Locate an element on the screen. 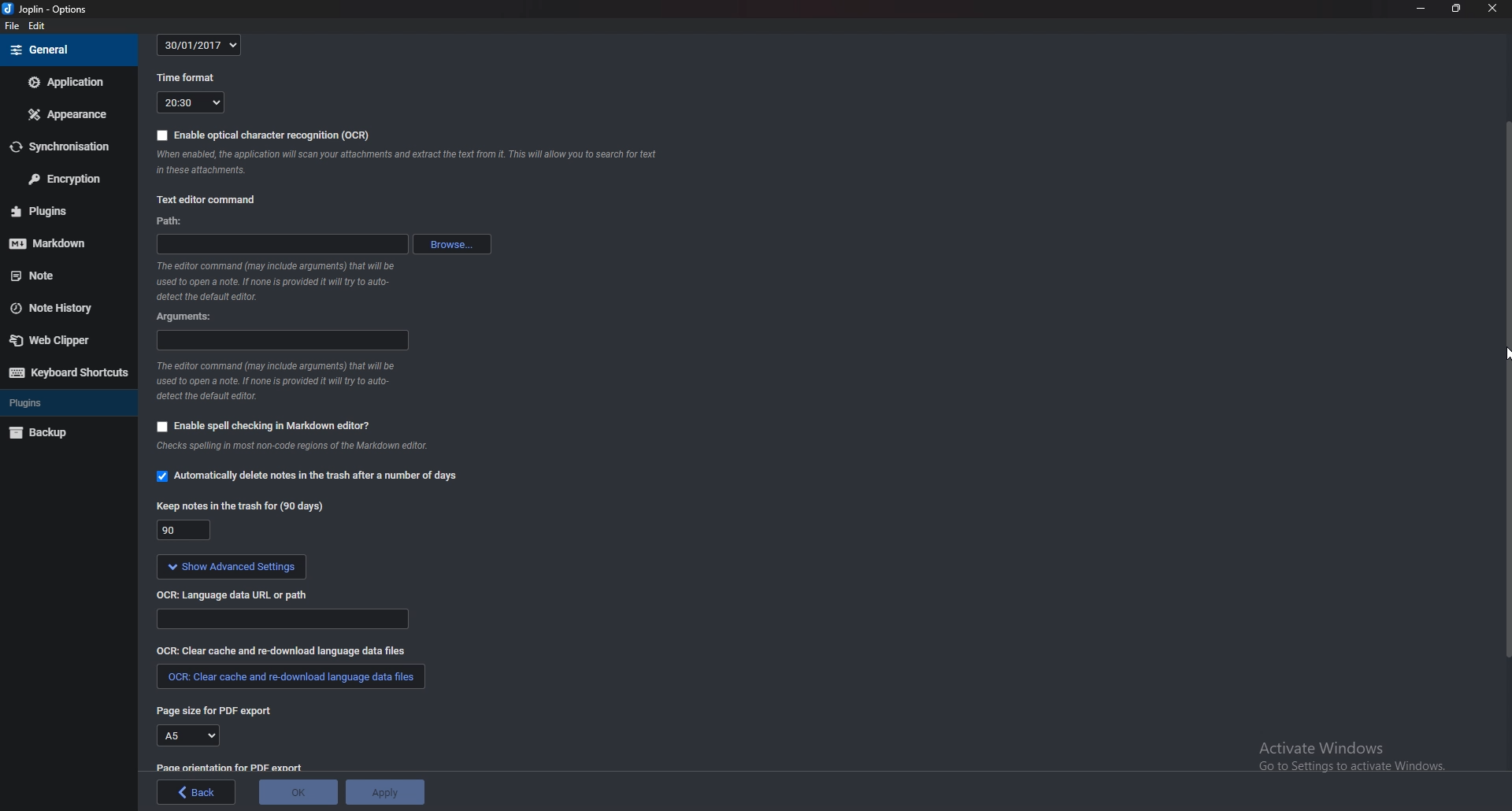 This screenshot has width=1512, height=811. 20:30 is located at coordinates (190, 104).